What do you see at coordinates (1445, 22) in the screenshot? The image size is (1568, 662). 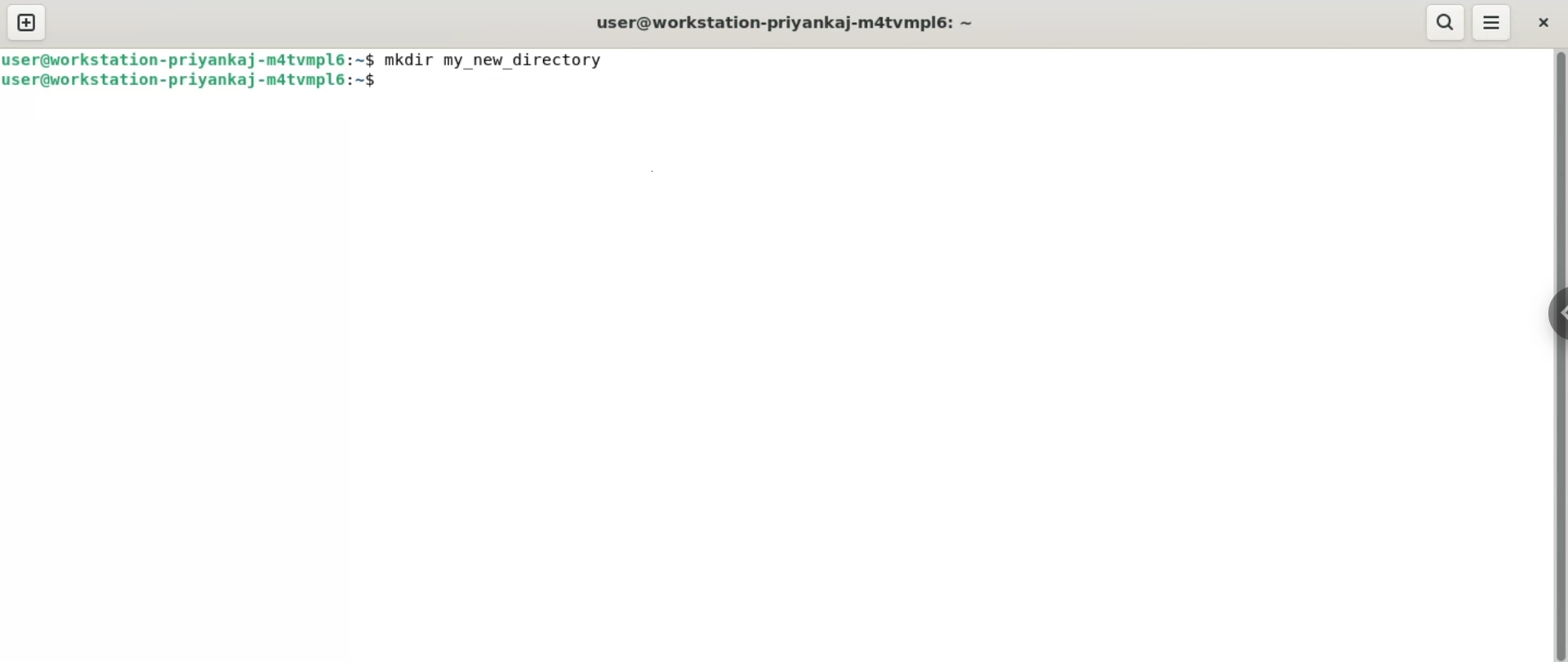 I see `search` at bounding box center [1445, 22].